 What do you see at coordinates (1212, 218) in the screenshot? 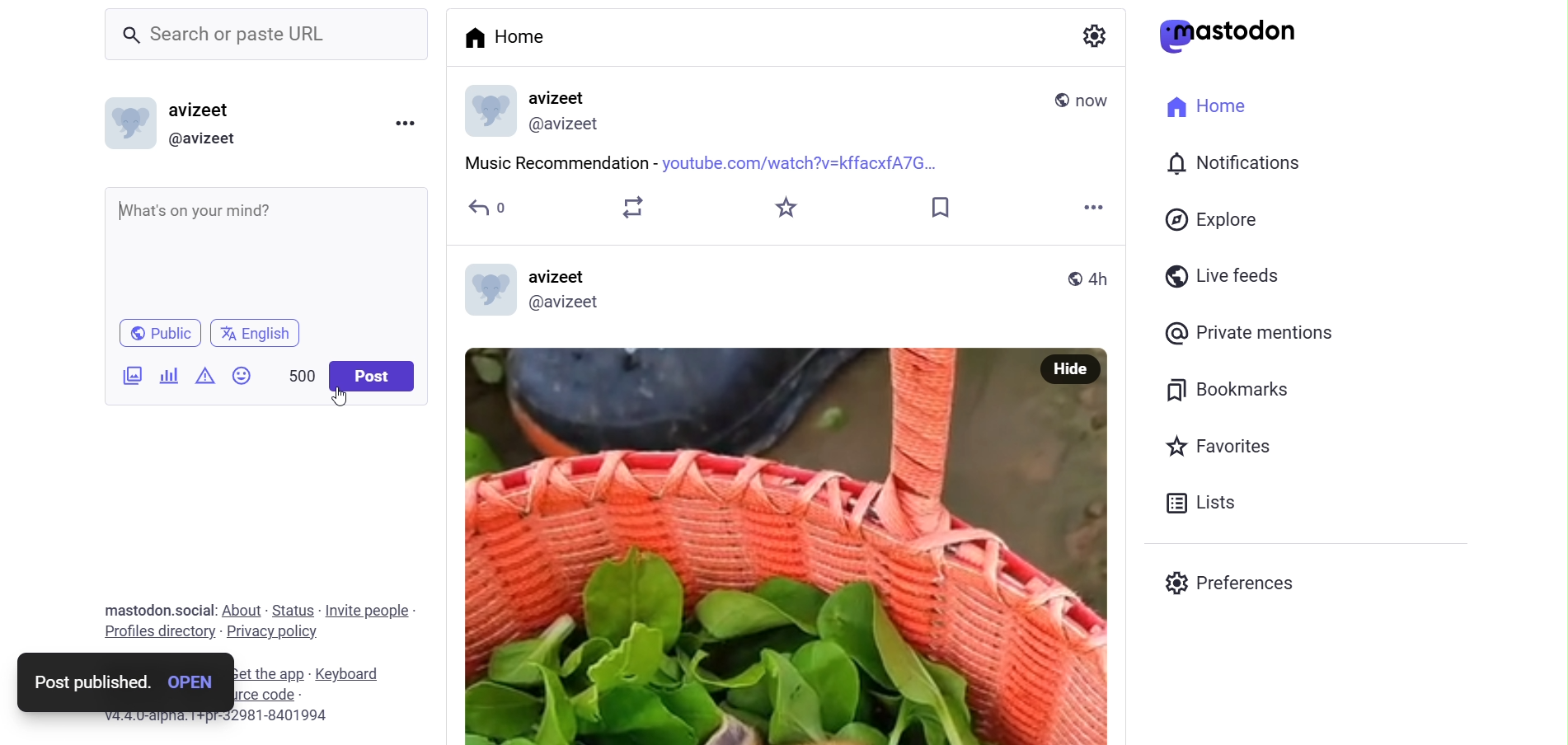
I see `Explore` at bounding box center [1212, 218].